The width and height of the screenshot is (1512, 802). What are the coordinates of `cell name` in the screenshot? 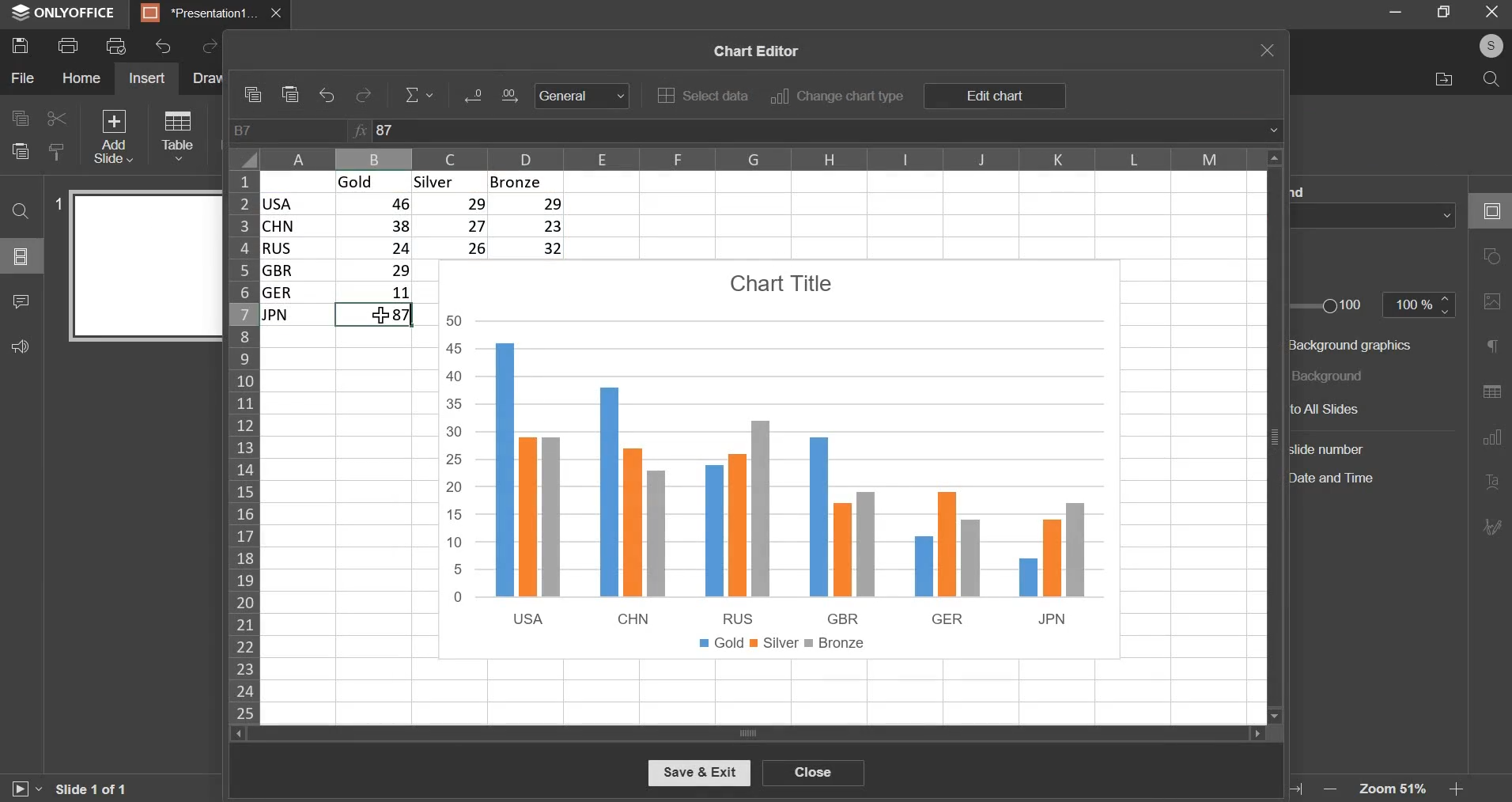 It's located at (289, 131).